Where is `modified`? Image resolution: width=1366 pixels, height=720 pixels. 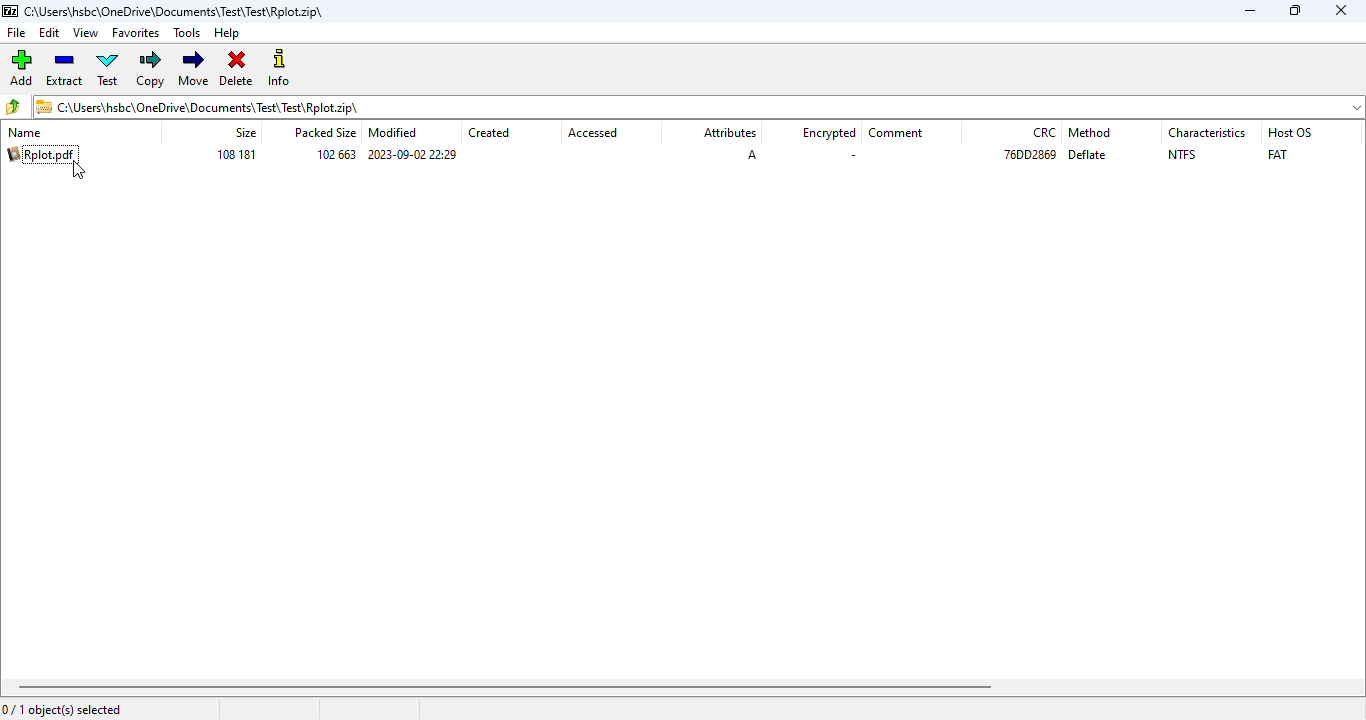
modified is located at coordinates (394, 132).